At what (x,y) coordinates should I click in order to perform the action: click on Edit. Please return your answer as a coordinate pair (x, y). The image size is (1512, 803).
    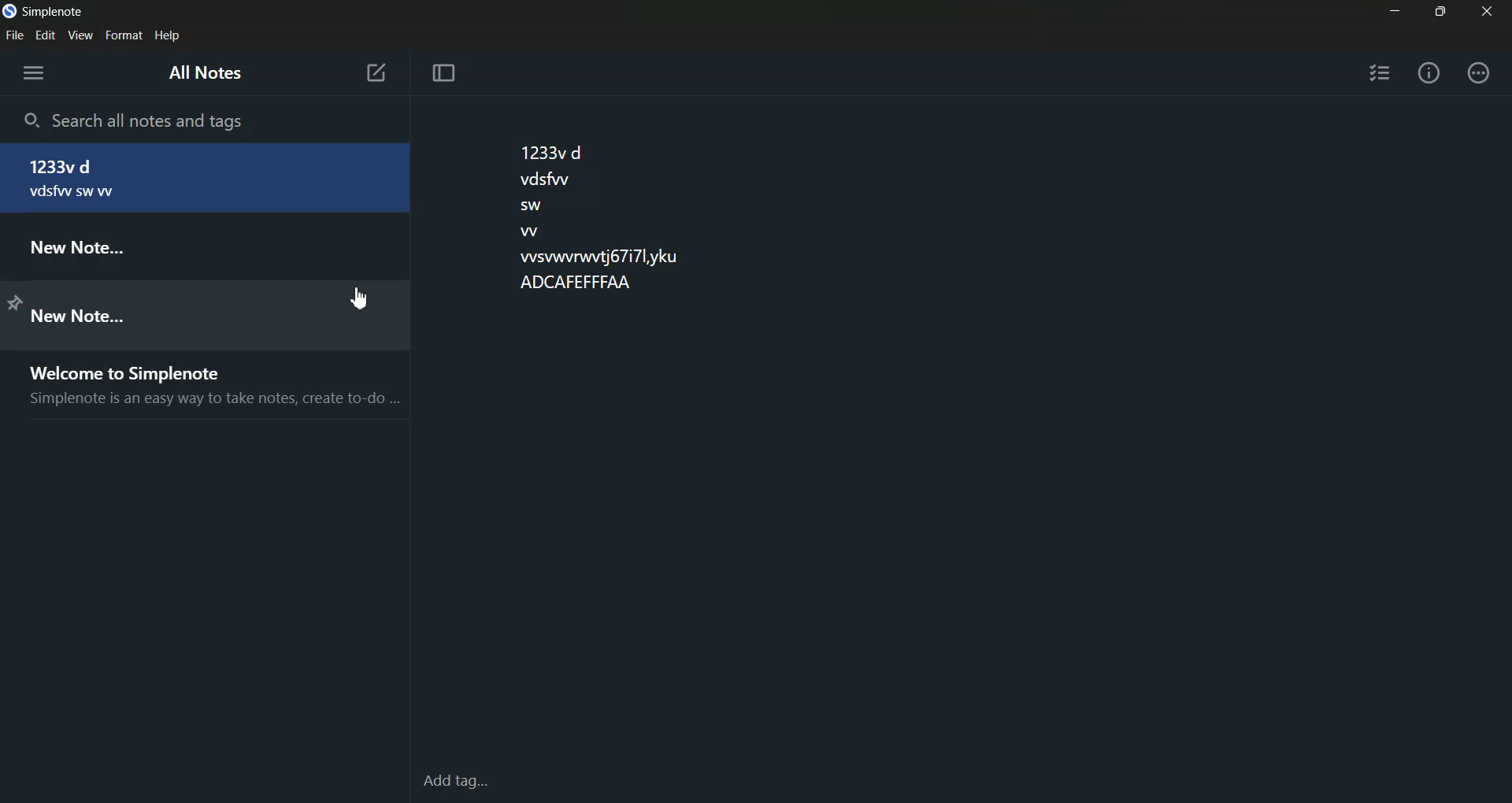
    Looking at the image, I should click on (45, 35).